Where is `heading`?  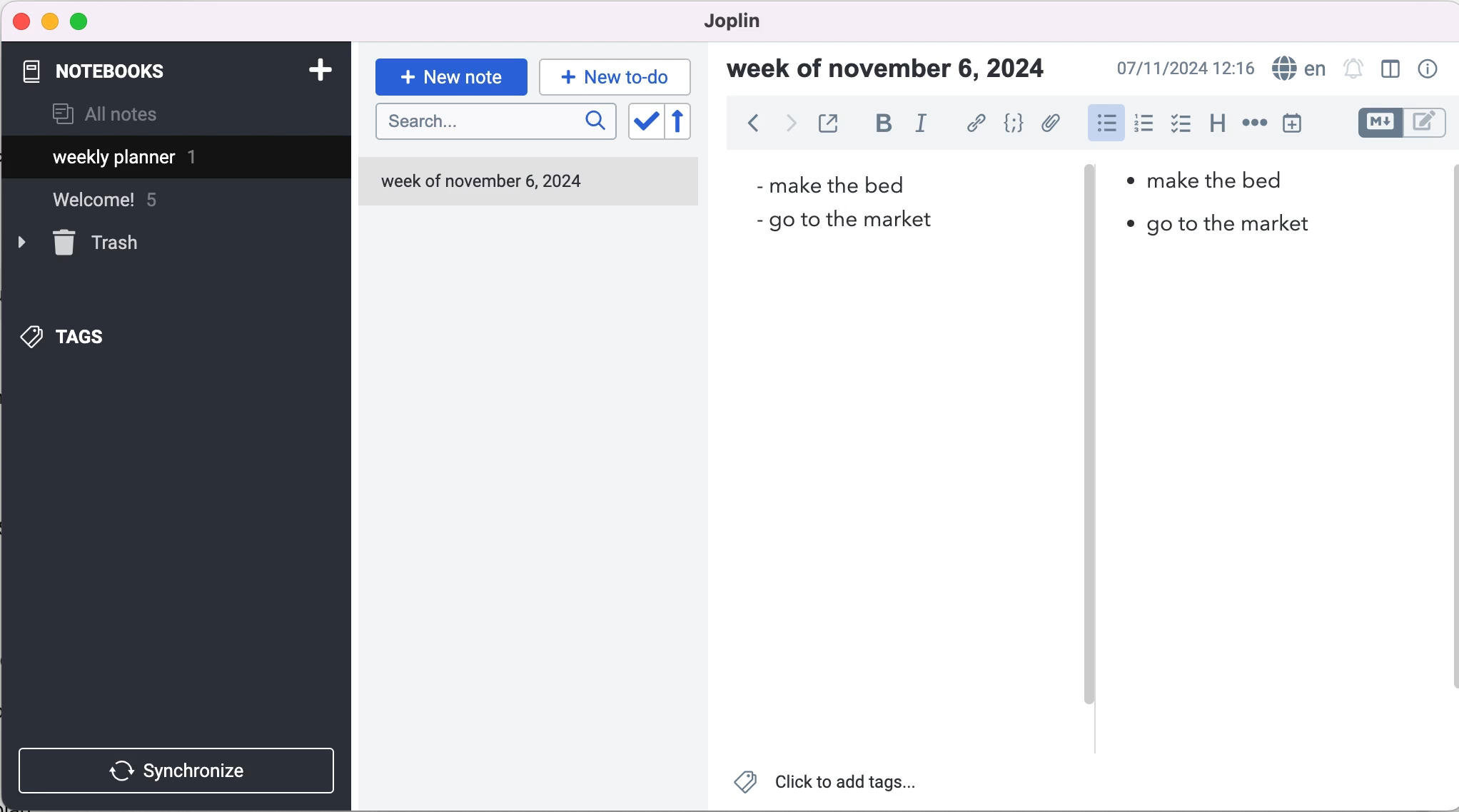 heading is located at coordinates (1216, 121).